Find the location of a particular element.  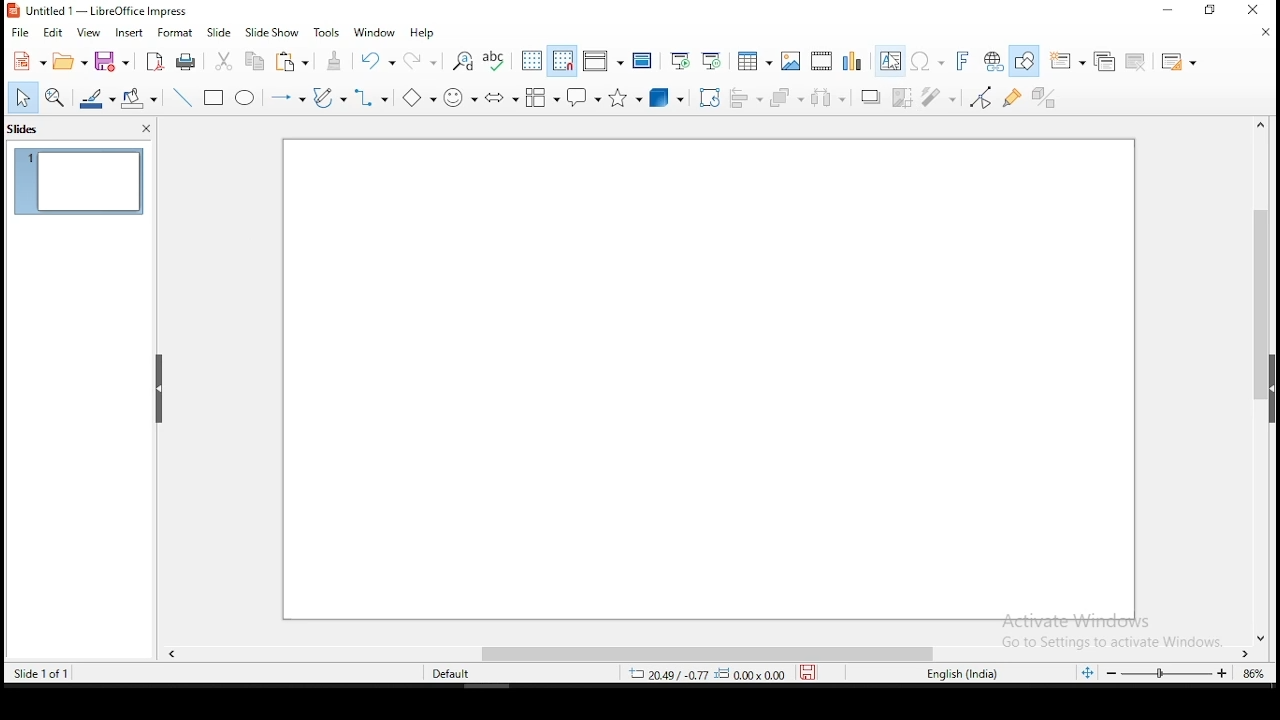

clone formatting is located at coordinates (334, 60).